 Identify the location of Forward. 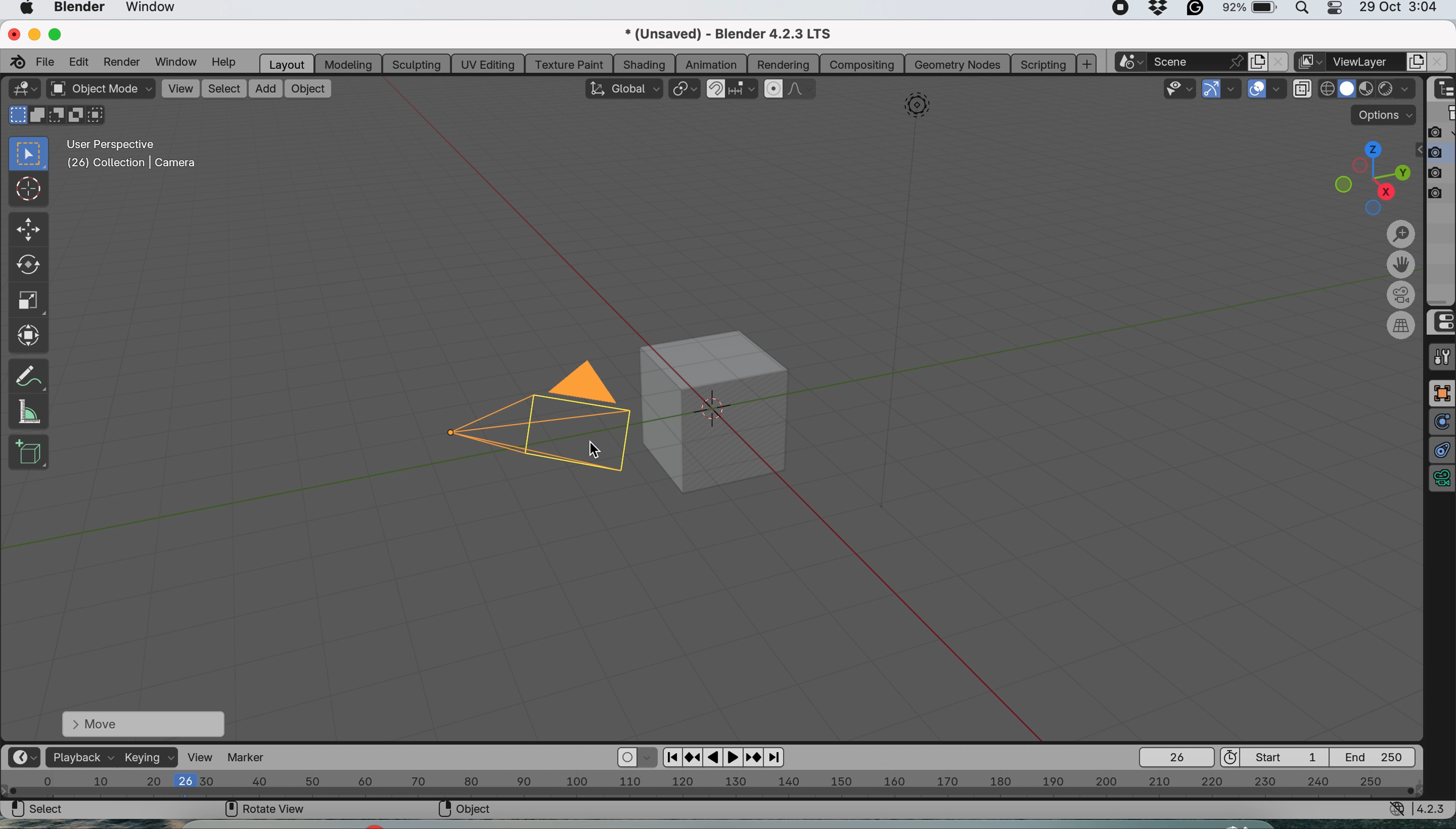
(754, 757).